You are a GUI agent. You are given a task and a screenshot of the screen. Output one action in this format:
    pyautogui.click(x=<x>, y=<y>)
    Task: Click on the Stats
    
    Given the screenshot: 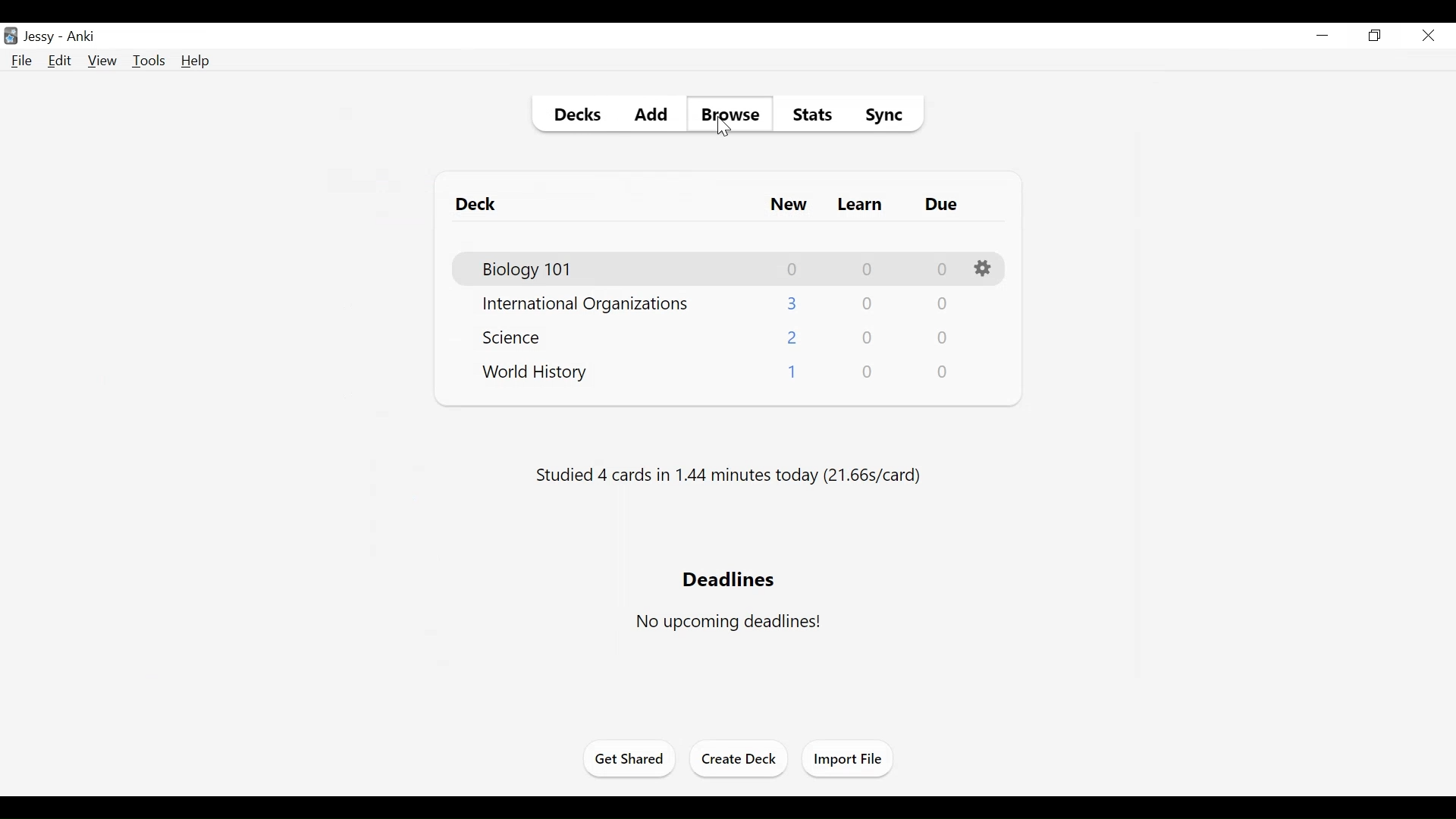 What is the action you would take?
    pyautogui.click(x=814, y=117)
    